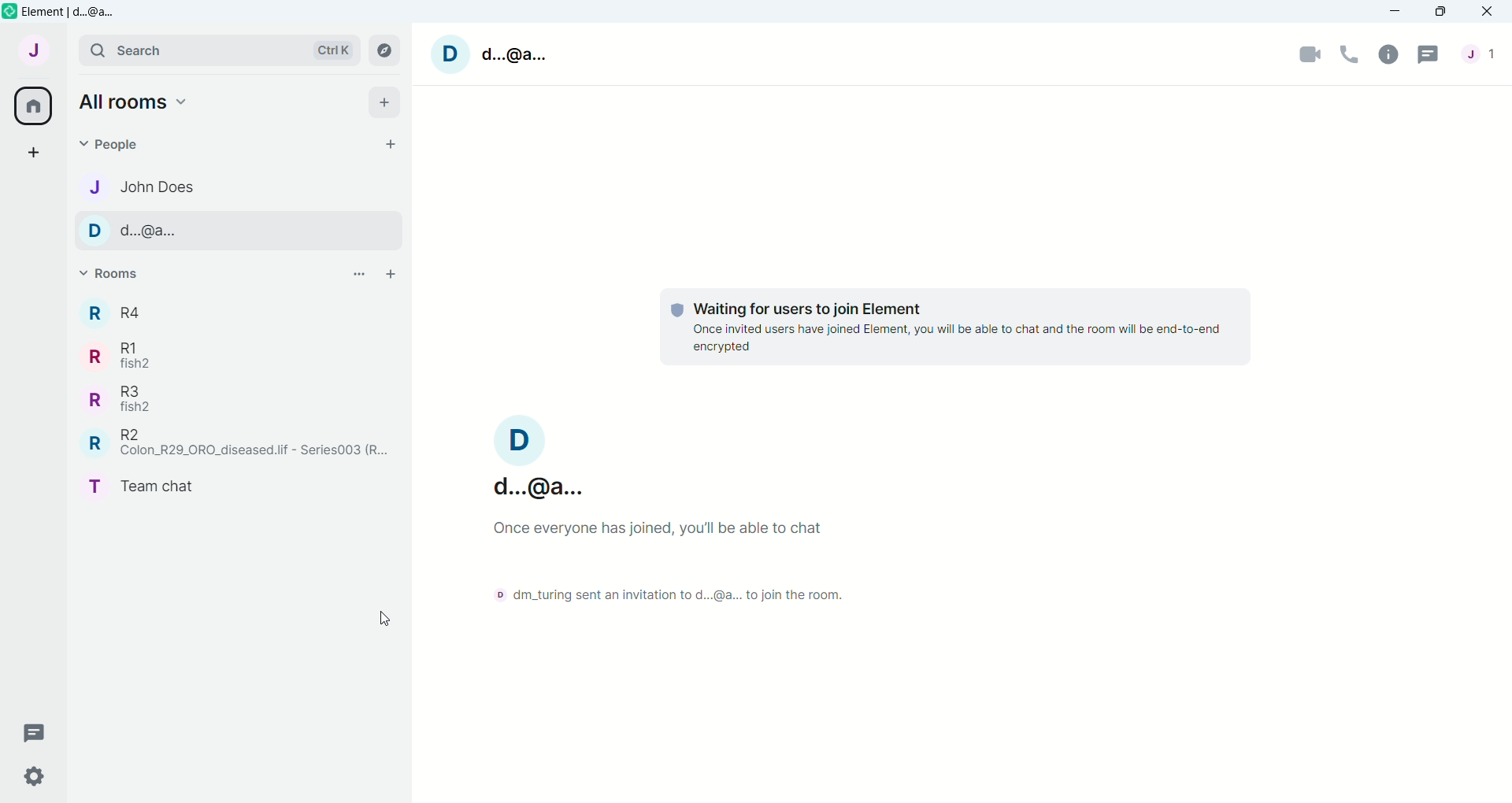  Describe the element at coordinates (676, 594) in the screenshot. I see `D dm_turing sent an invitation to d...@a... to join the room.` at that location.